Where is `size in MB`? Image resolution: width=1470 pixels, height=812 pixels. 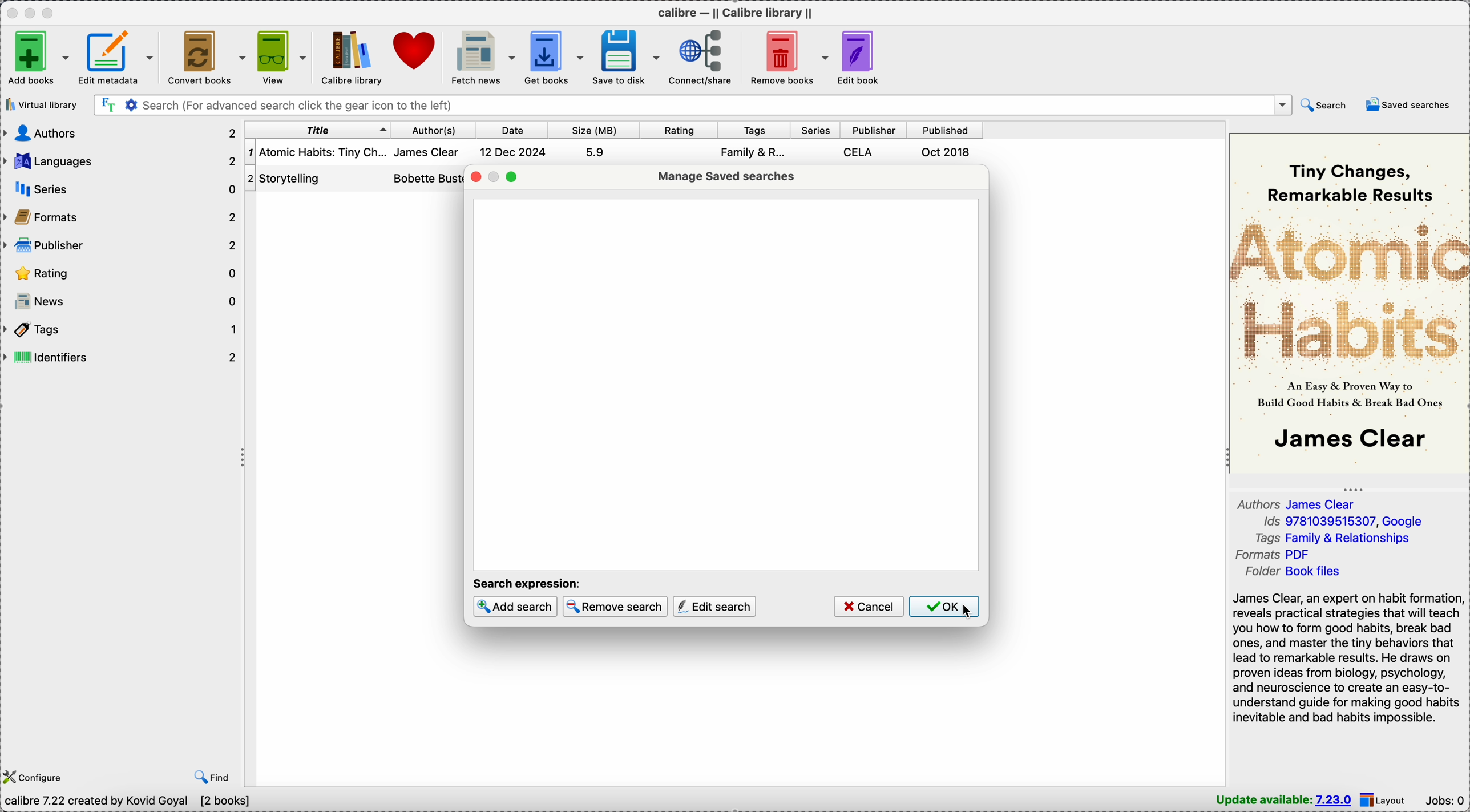 size in MB is located at coordinates (595, 151).